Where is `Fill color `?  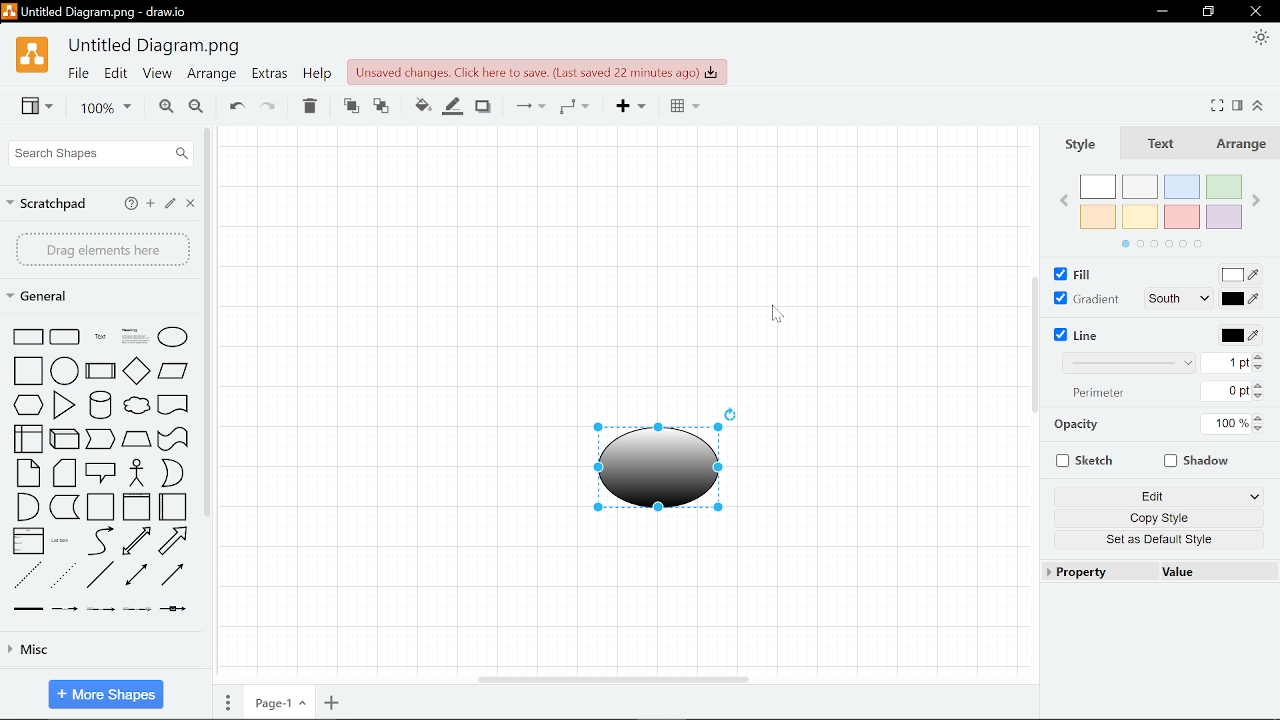 Fill color  is located at coordinates (422, 105).